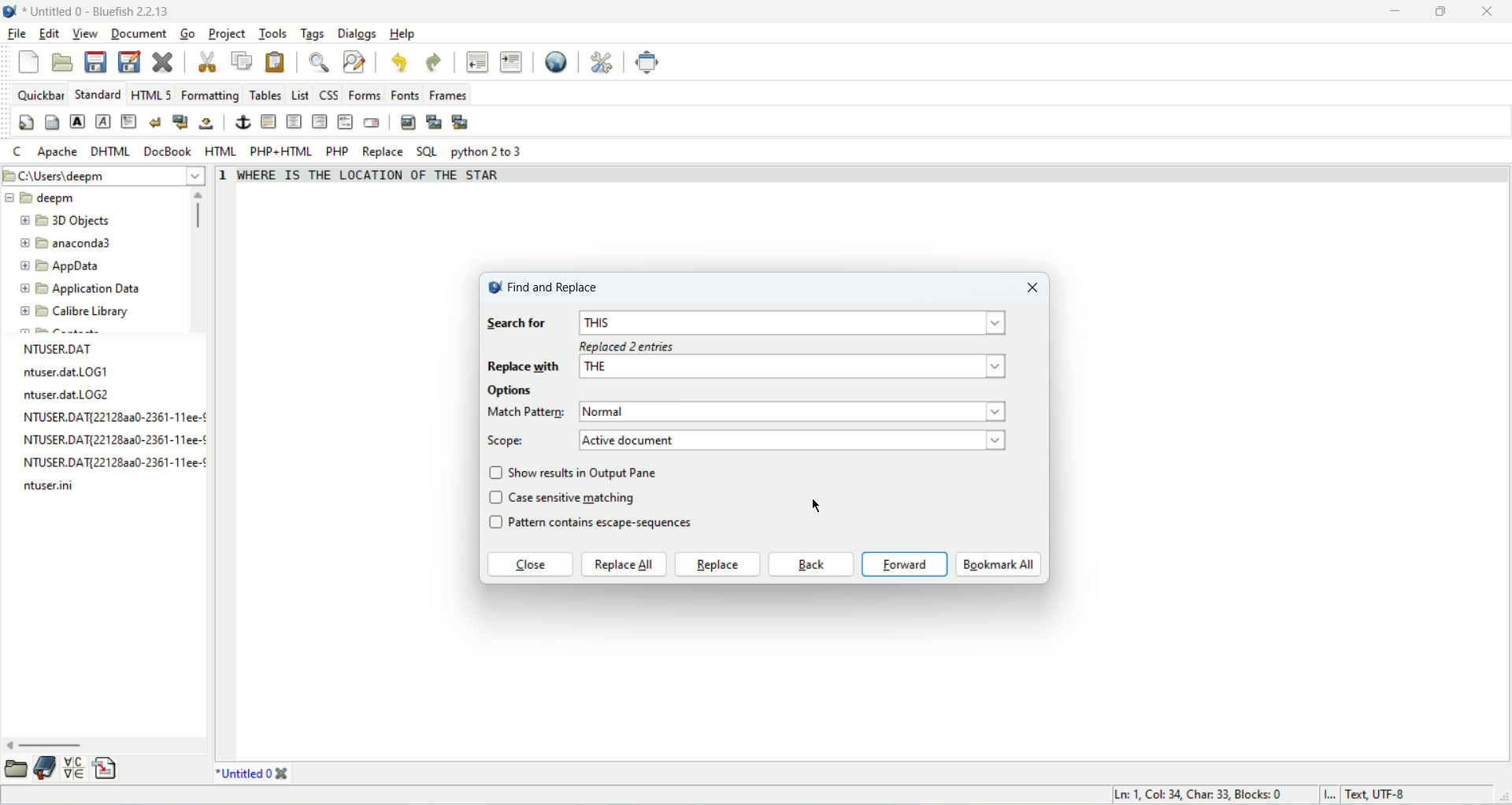 Image resolution: width=1512 pixels, height=805 pixels. What do you see at coordinates (187, 32) in the screenshot?
I see `go` at bounding box center [187, 32].